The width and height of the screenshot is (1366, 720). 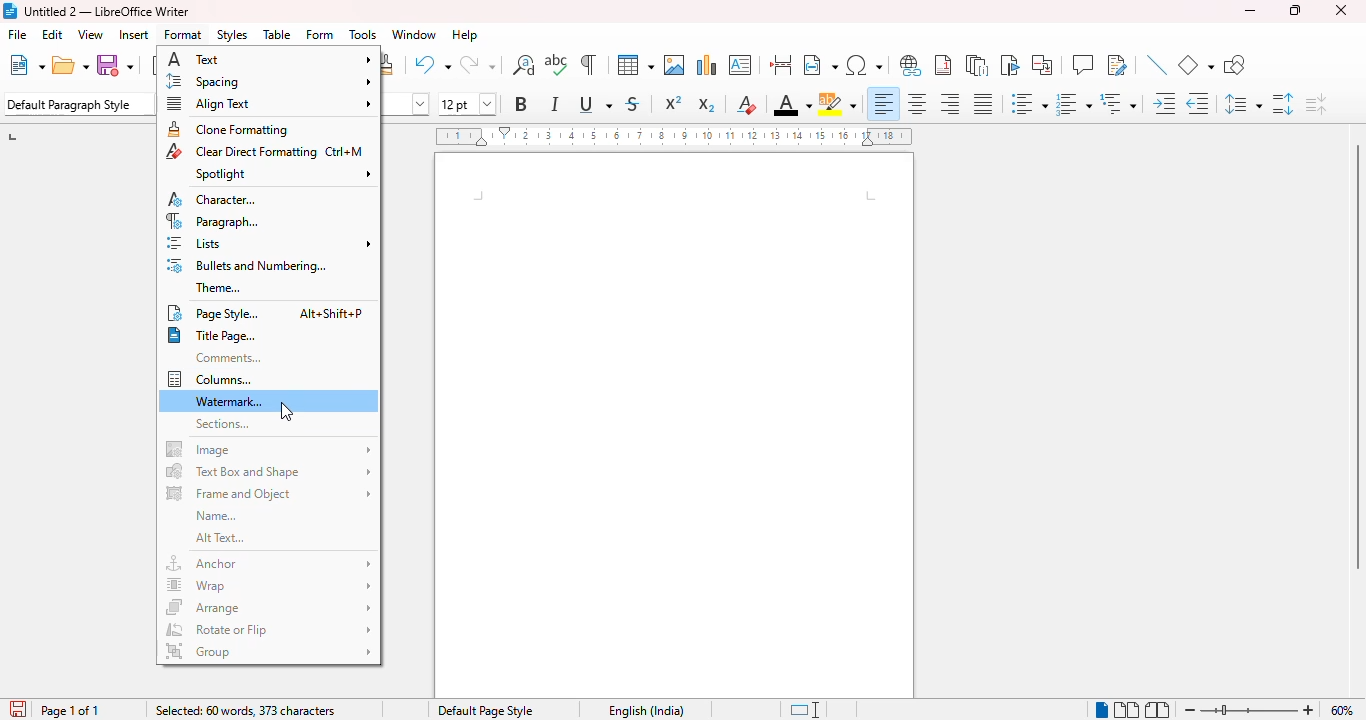 I want to click on insert field, so click(x=820, y=65).